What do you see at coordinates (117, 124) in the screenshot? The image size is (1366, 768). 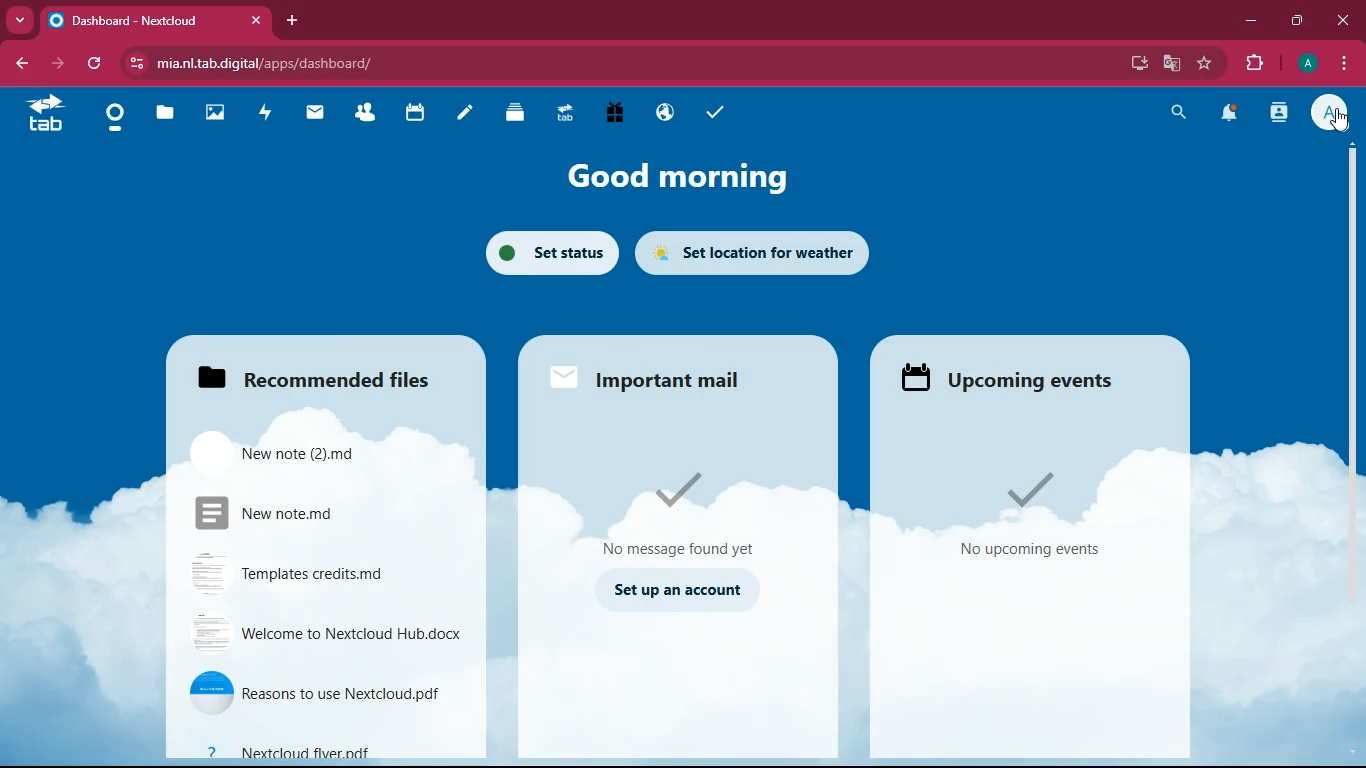 I see `home` at bounding box center [117, 124].